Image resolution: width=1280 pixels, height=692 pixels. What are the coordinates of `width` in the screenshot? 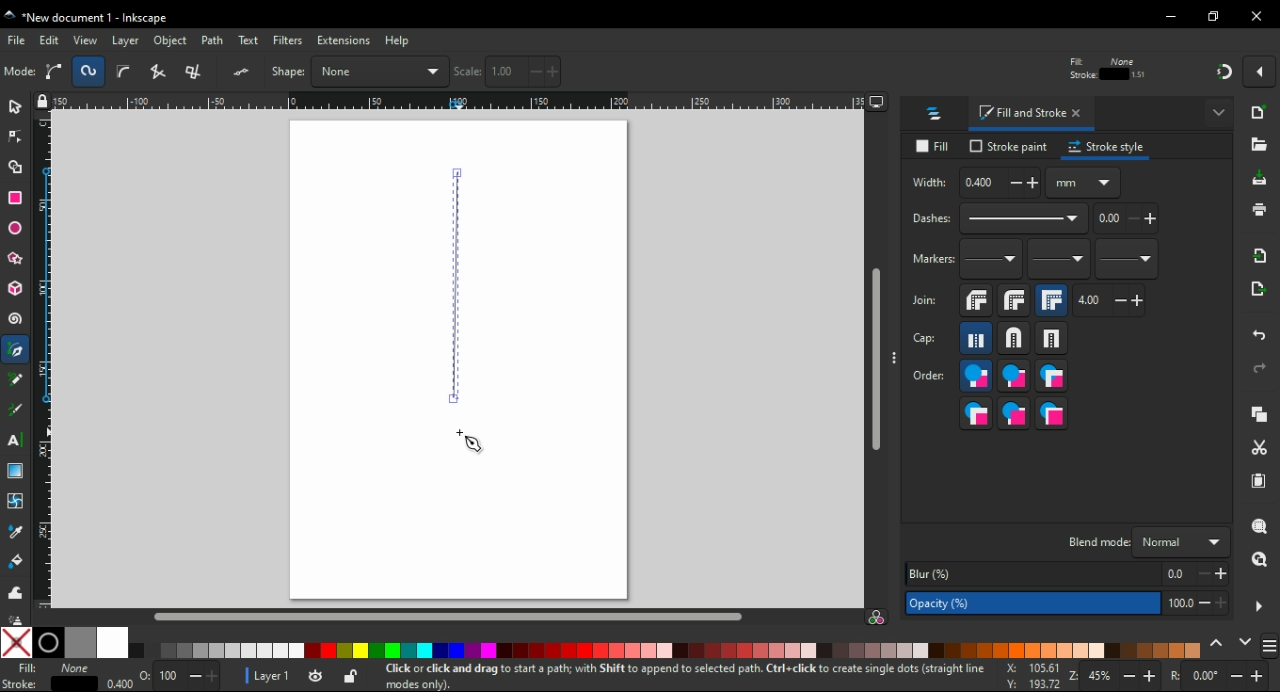 It's located at (974, 183).